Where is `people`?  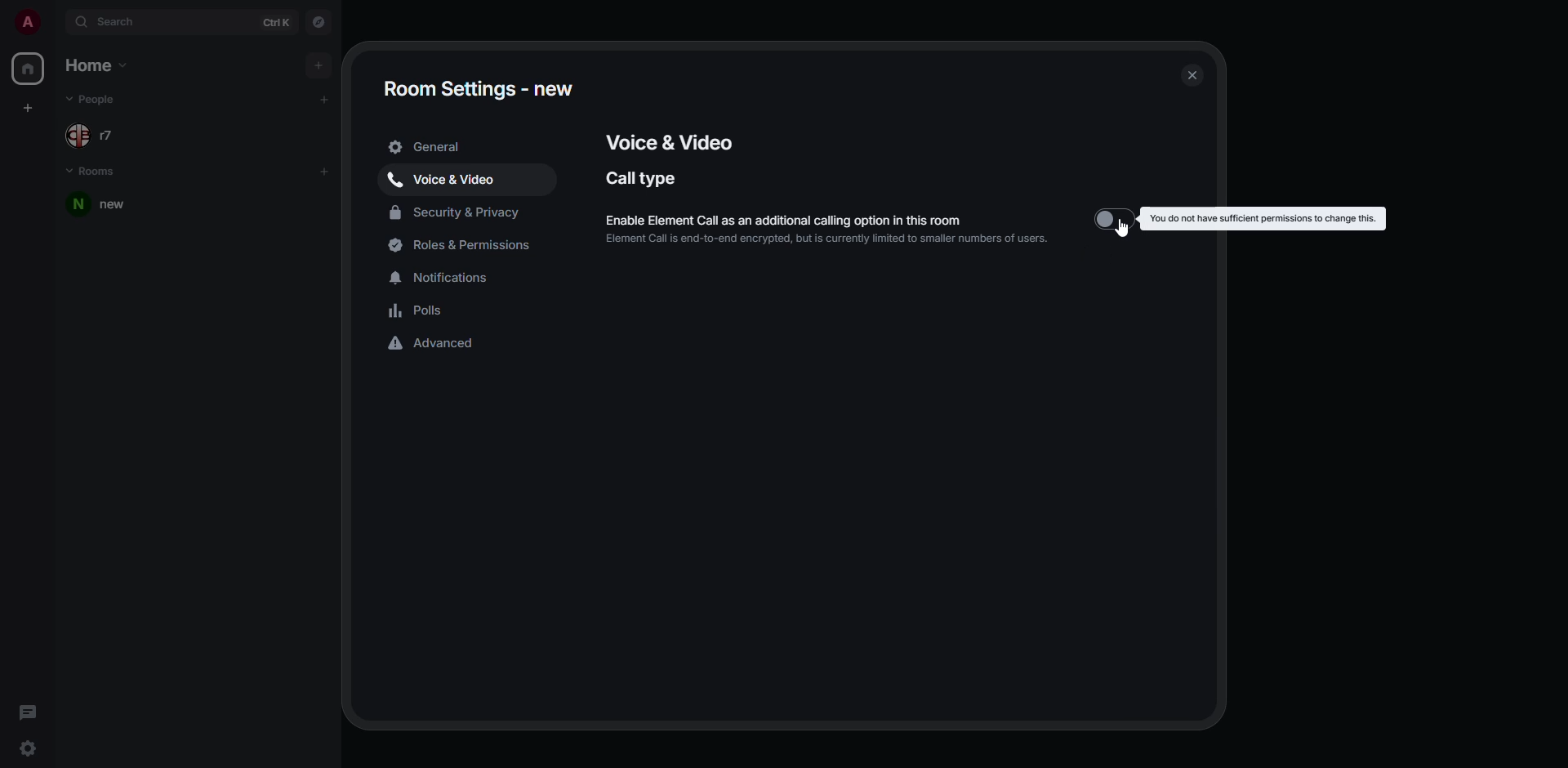
people is located at coordinates (95, 132).